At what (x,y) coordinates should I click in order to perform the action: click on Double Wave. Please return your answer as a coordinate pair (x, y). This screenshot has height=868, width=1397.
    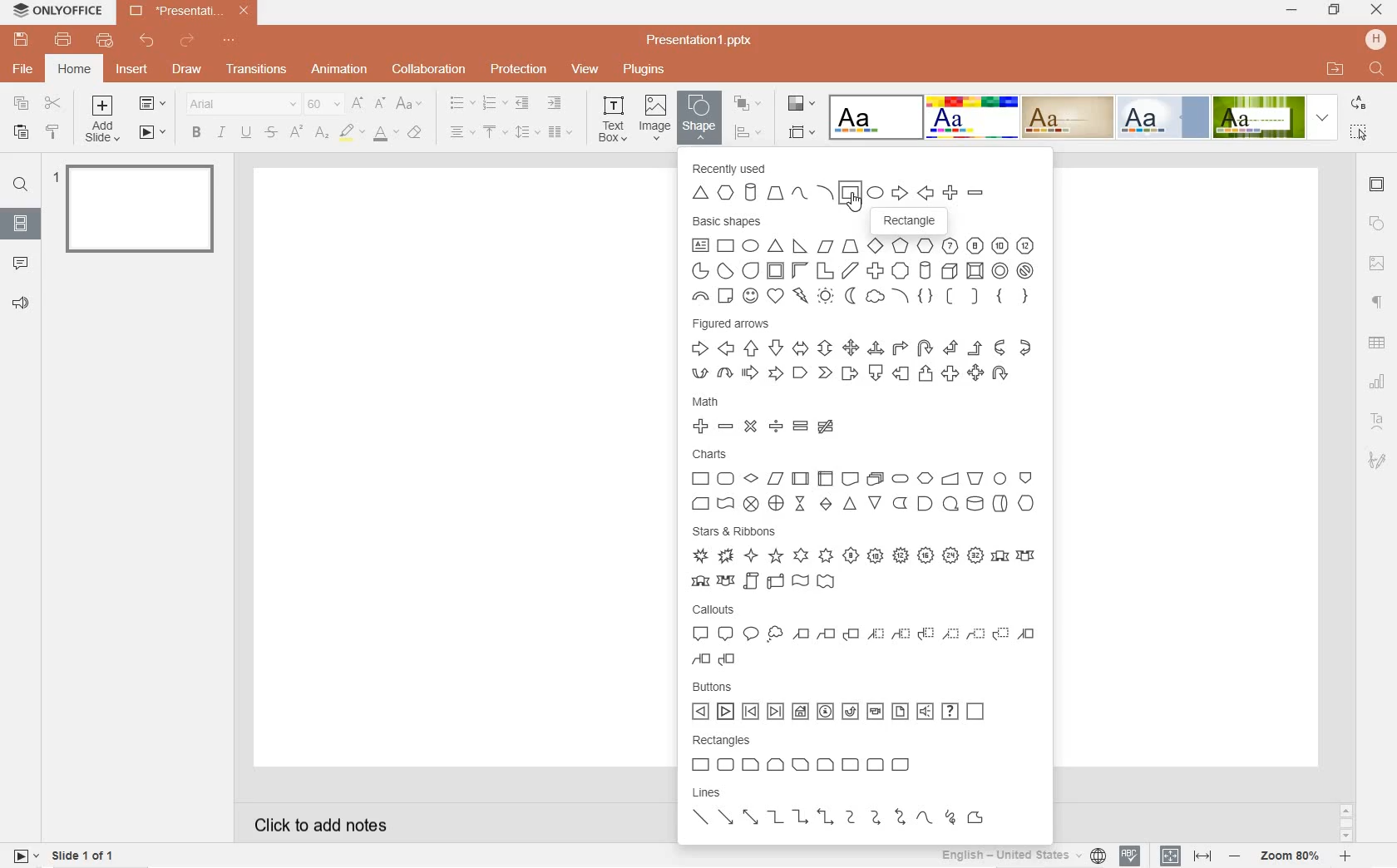
    Looking at the image, I should click on (827, 580).